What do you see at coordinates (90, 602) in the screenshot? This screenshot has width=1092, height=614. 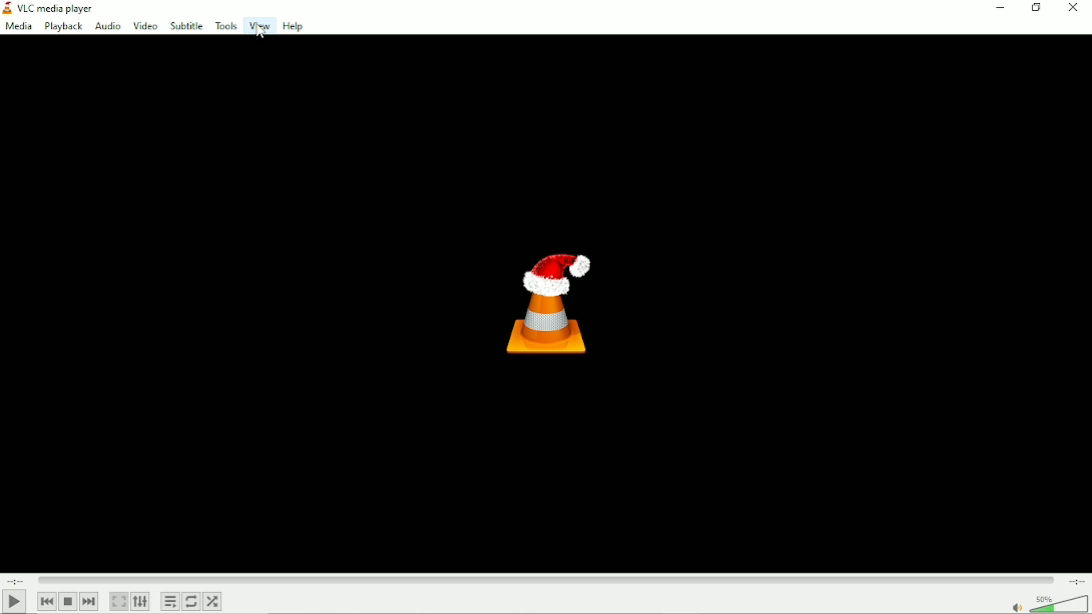 I see `Next` at bounding box center [90, 602].